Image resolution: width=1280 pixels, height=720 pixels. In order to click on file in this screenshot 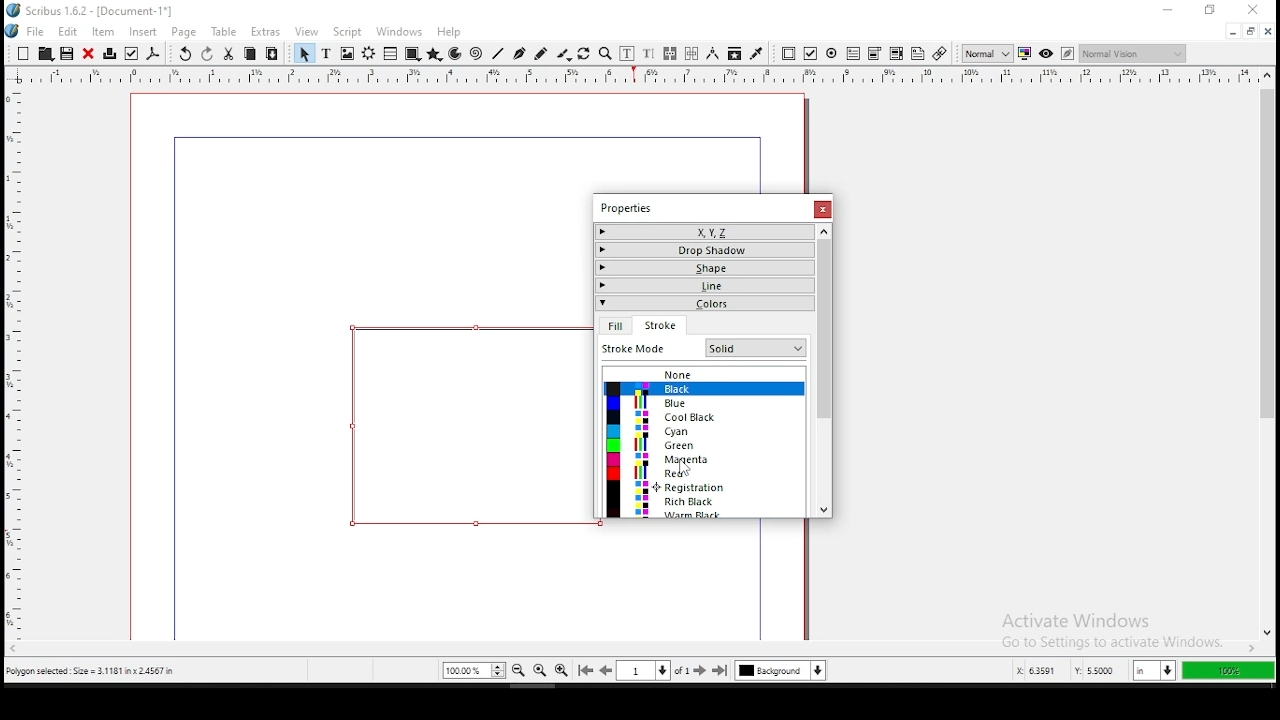, I will do `click(26, 30)`.